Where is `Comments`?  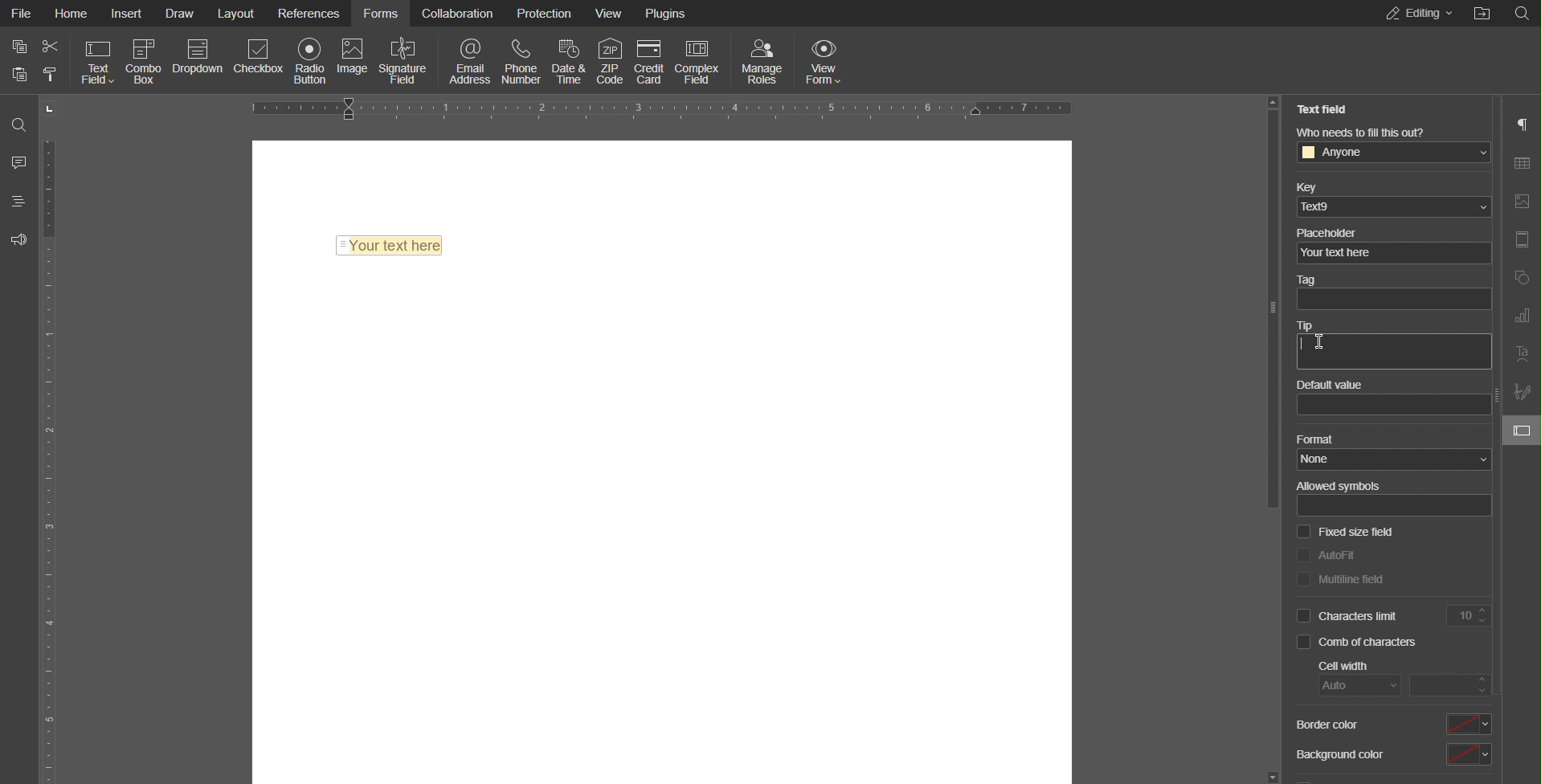 Comments is located at coordinates (18, 160).